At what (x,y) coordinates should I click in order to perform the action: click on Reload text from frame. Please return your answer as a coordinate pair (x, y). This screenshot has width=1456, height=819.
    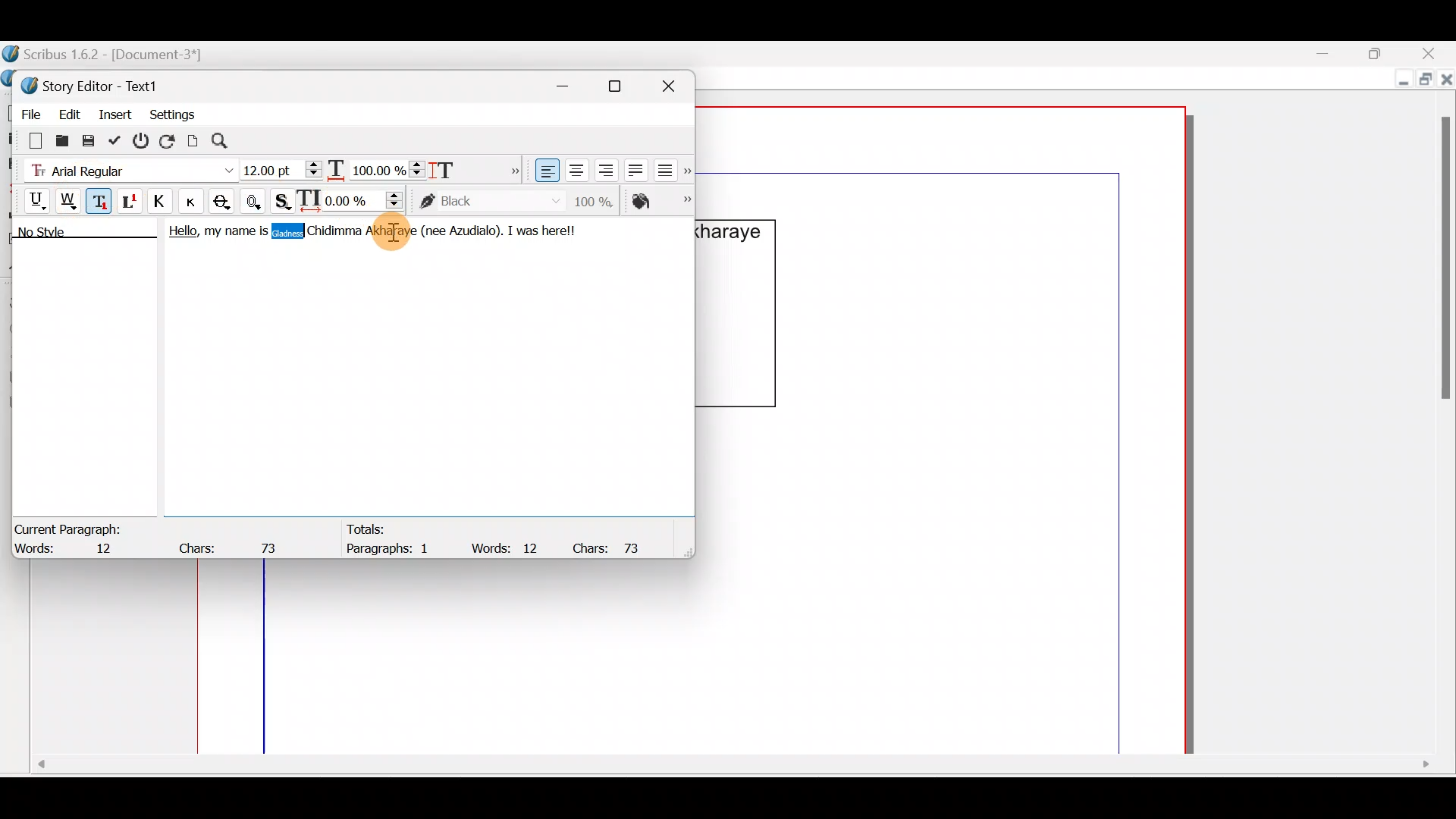
    Looking at the image, I should click on (169, 140).